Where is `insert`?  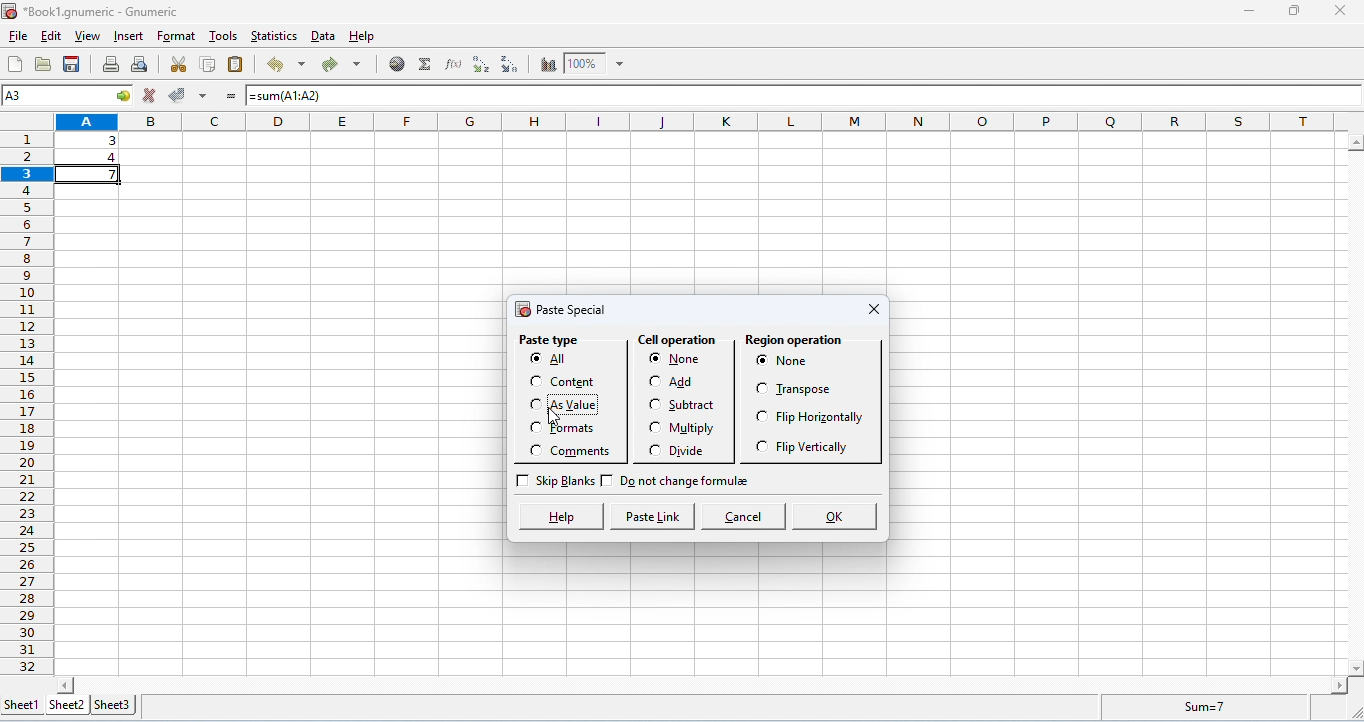 insert is located at coordinates (129, 36).